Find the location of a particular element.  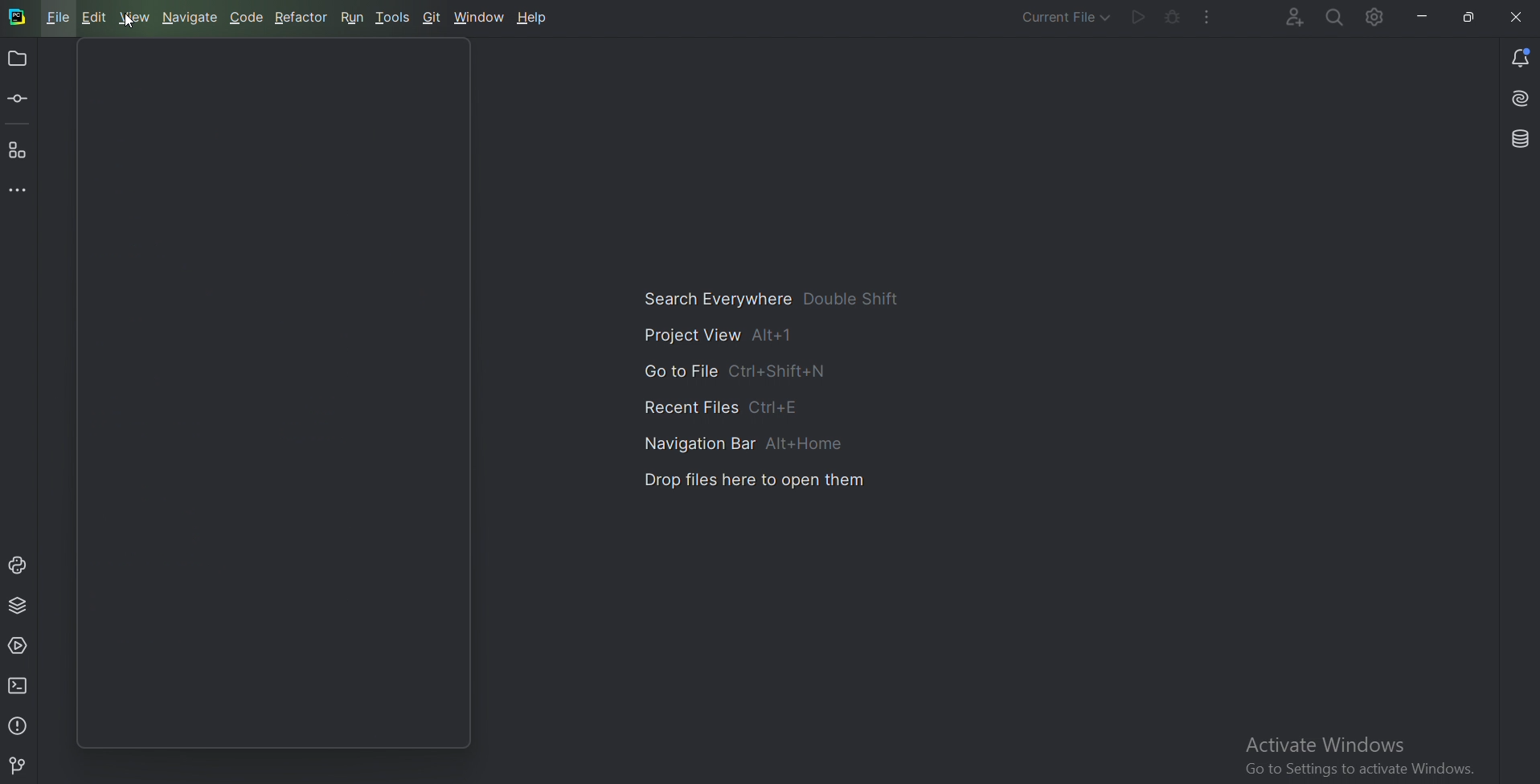

Navigate is located at coordinates (188, 16).